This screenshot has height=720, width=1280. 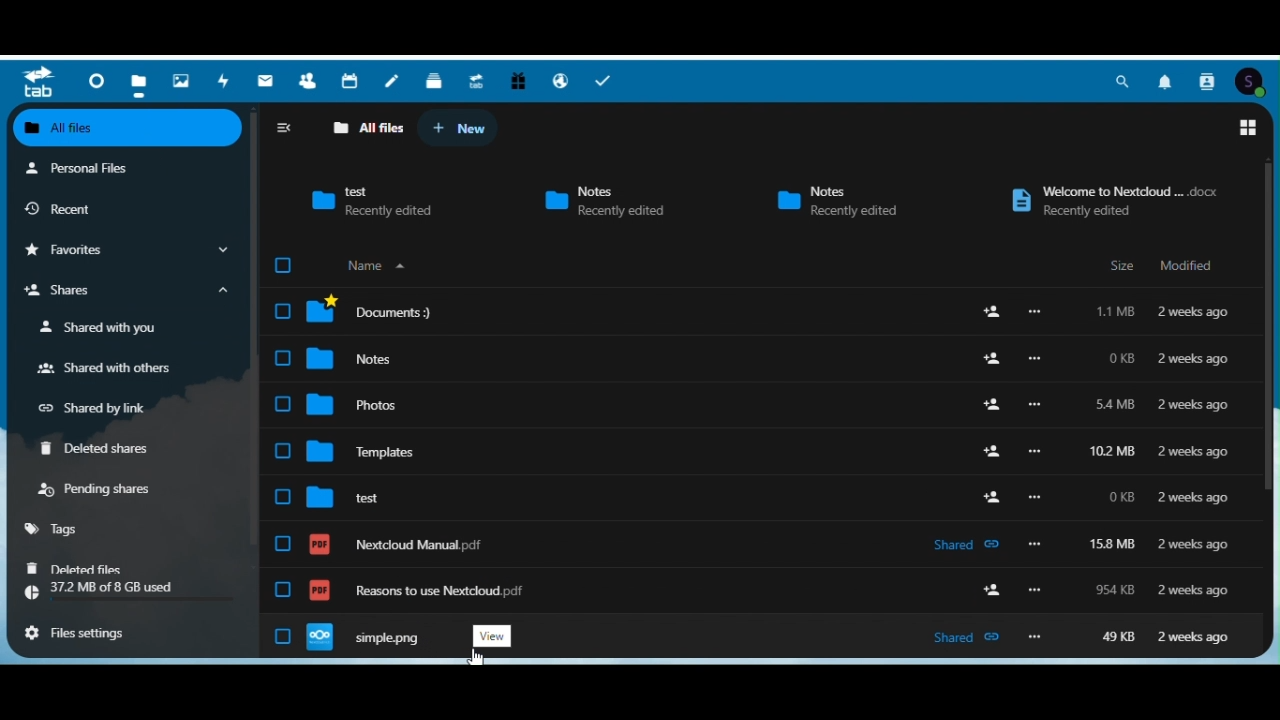 What do you see at coordinates (283, 637) in the screenshot?
I see `checkbox` at bounding box center [283, 637].